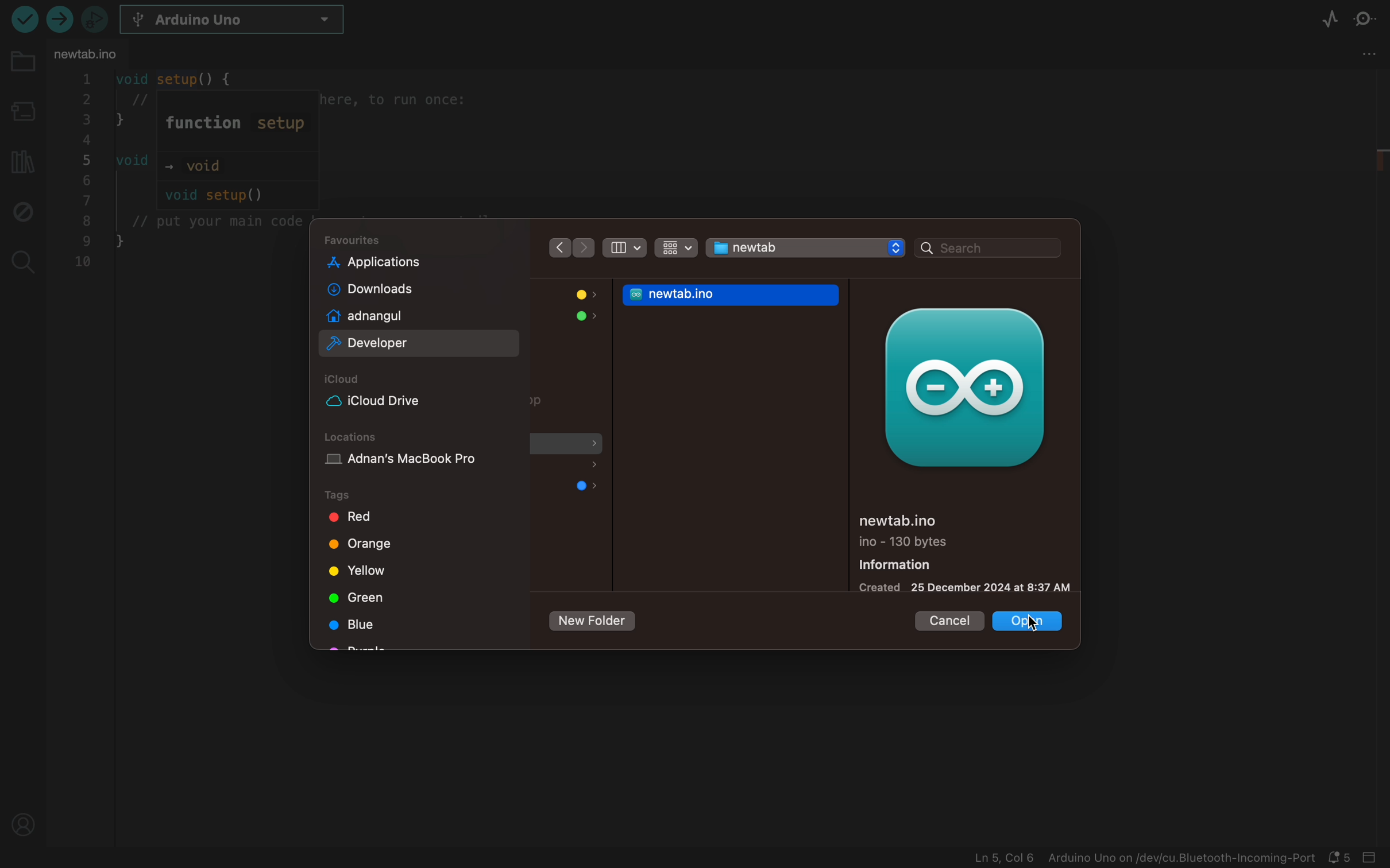 The image size is (1390, 868). What do you see at coordinates (94, 18) in the screenshot?
I see `debugger` at bounding box center [94, 18].